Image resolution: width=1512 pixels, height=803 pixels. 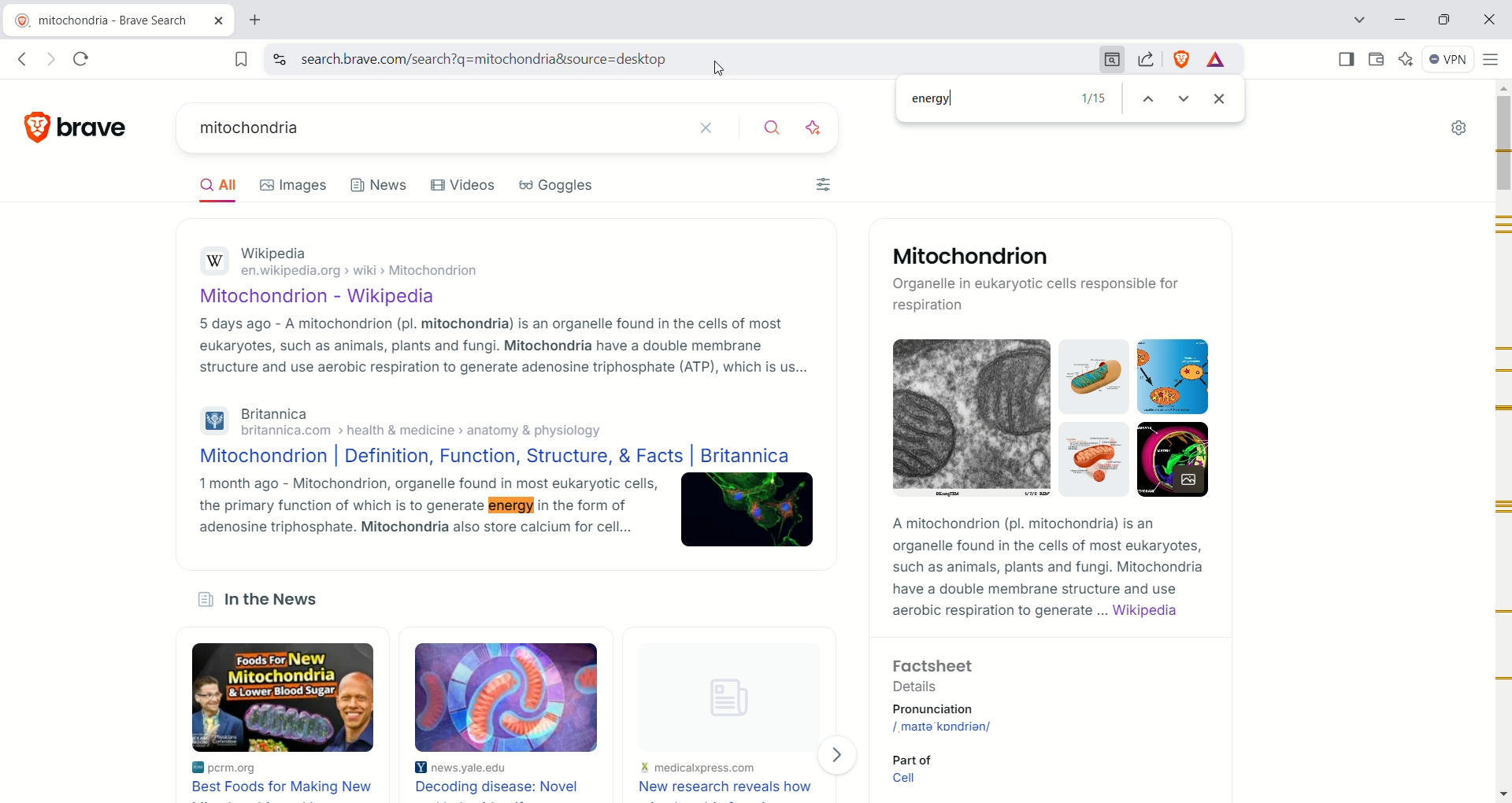 I want to click on settings, so click(x=1458, y=128).